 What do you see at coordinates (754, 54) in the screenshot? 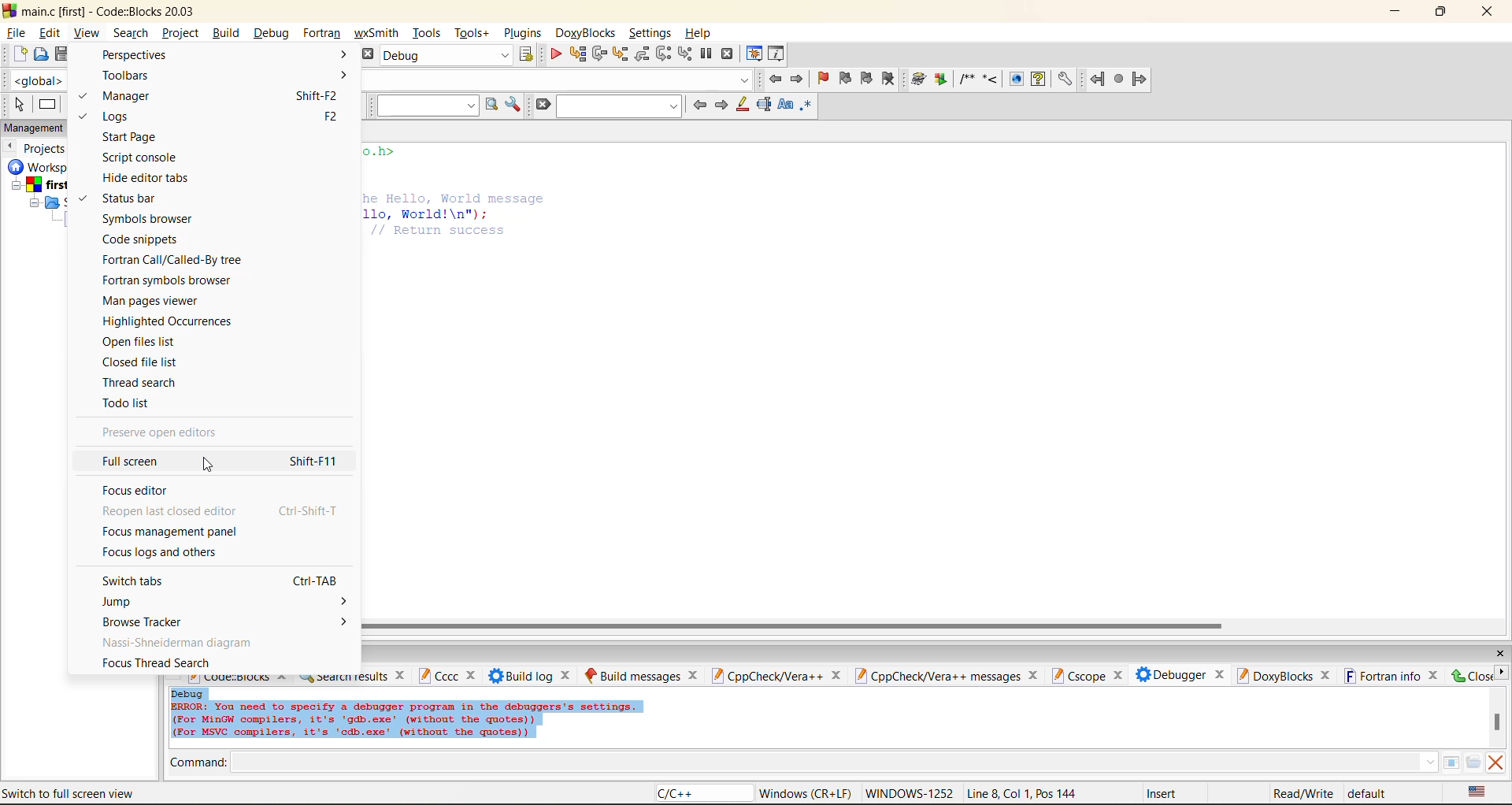
I see `debugging windows` at bounding box center [754, 54].